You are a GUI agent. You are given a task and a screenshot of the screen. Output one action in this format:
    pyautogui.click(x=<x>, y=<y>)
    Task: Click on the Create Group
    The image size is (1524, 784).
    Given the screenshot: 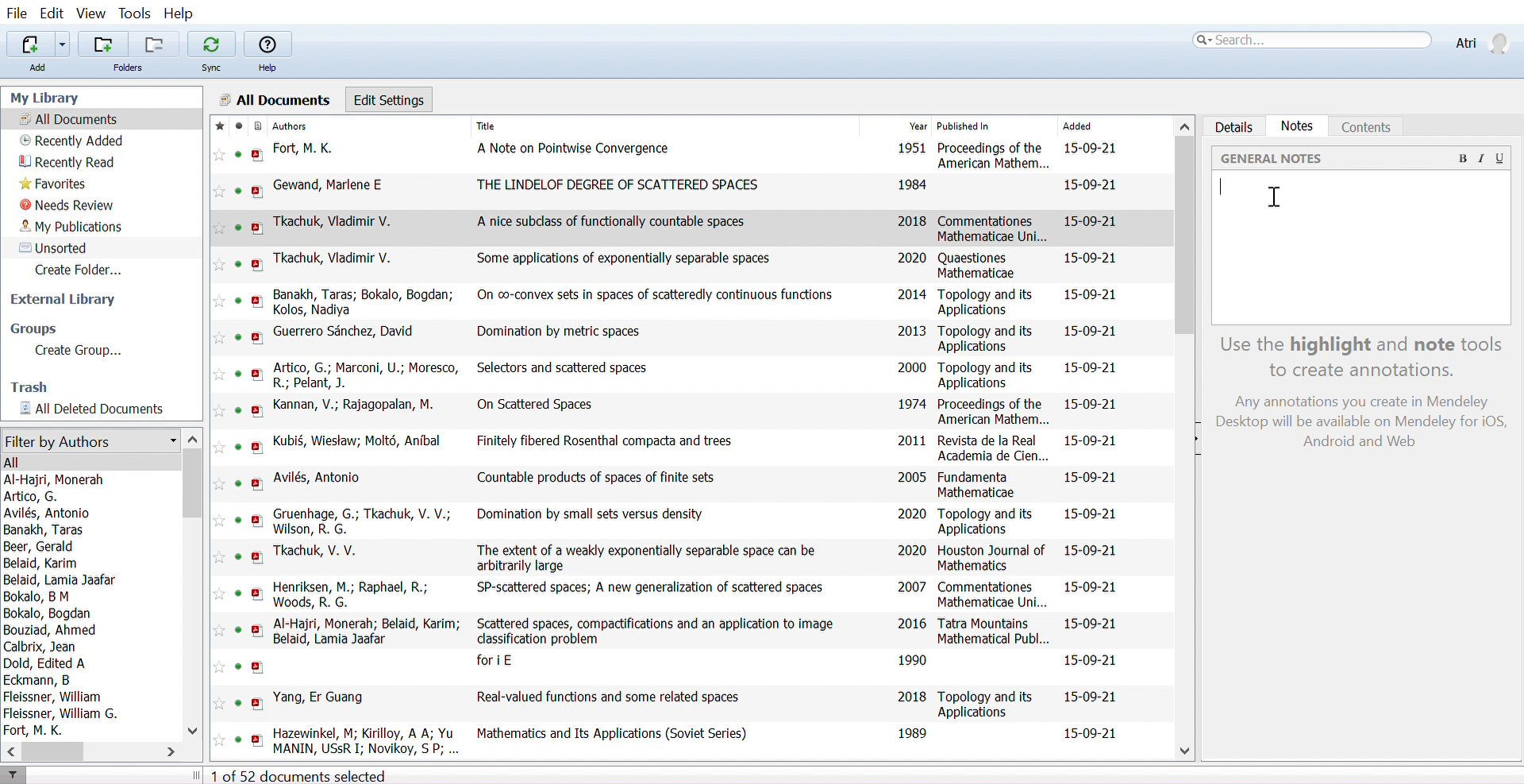 What is the action you would take?
    pyautogui.click(x=92, y=352)
    